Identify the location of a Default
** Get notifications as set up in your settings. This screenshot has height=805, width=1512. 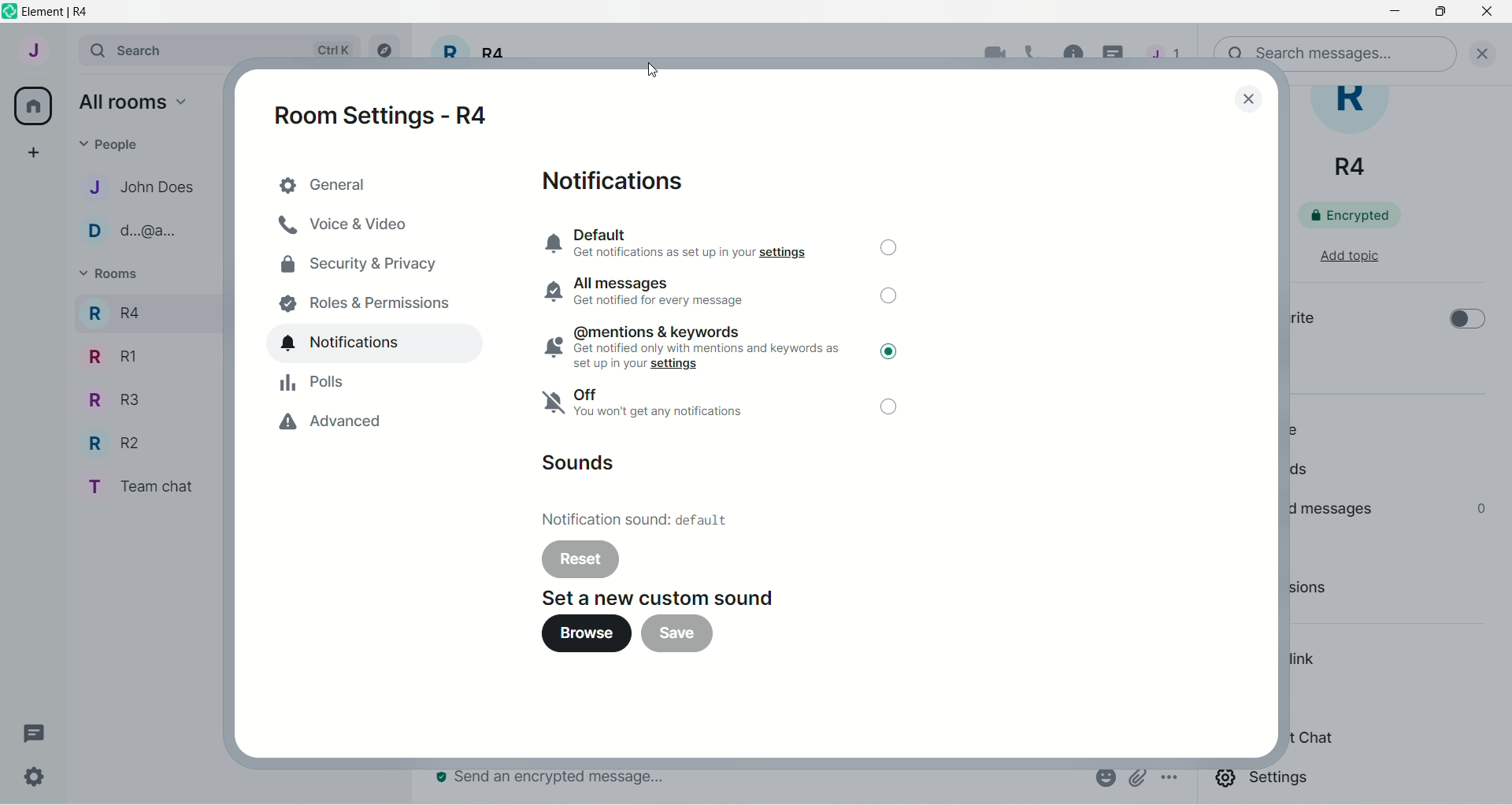
(688, 243).